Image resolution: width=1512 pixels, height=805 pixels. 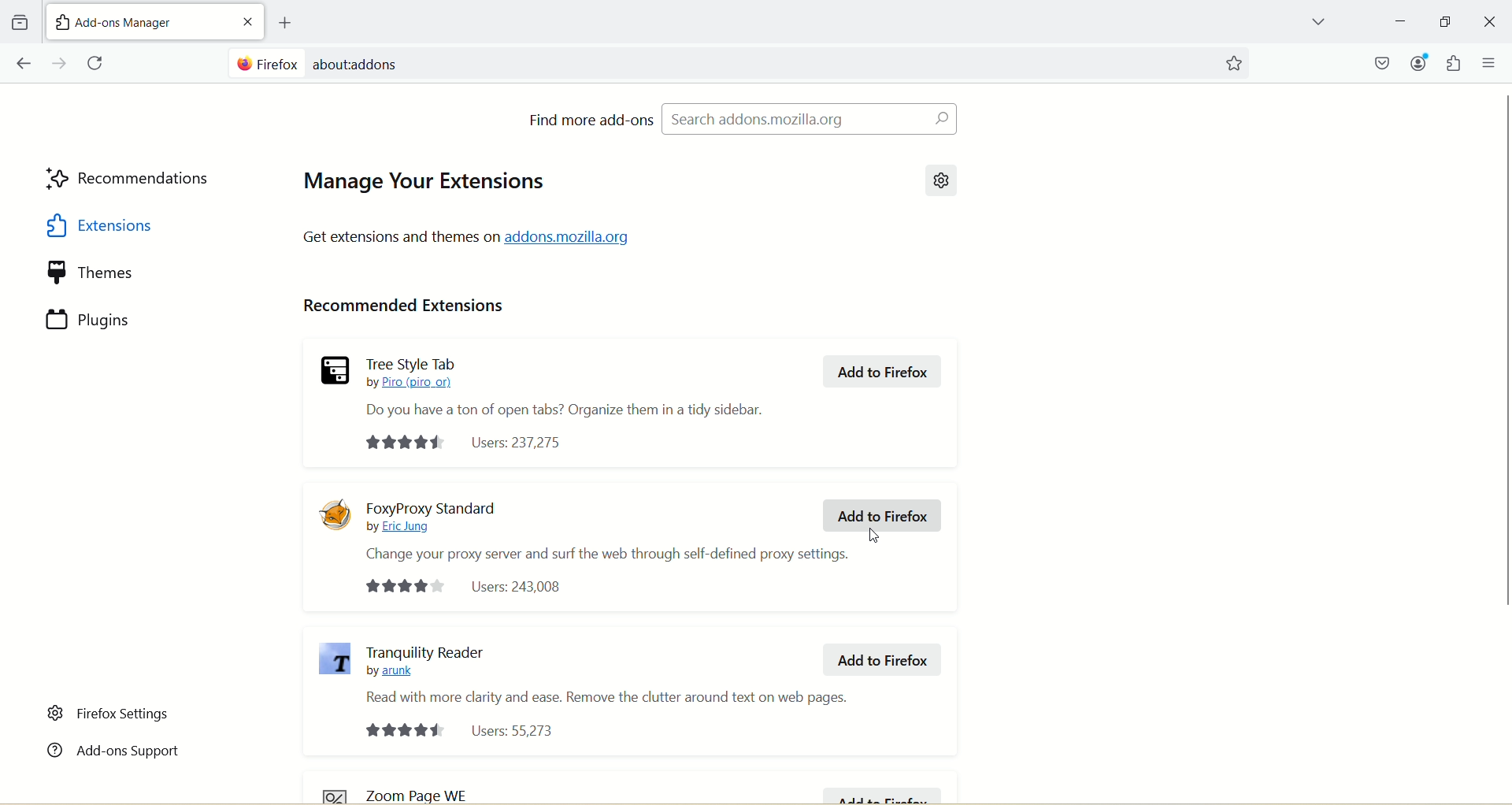 I want to click on Foxypoxy Logo, so click(x=338, y=514).